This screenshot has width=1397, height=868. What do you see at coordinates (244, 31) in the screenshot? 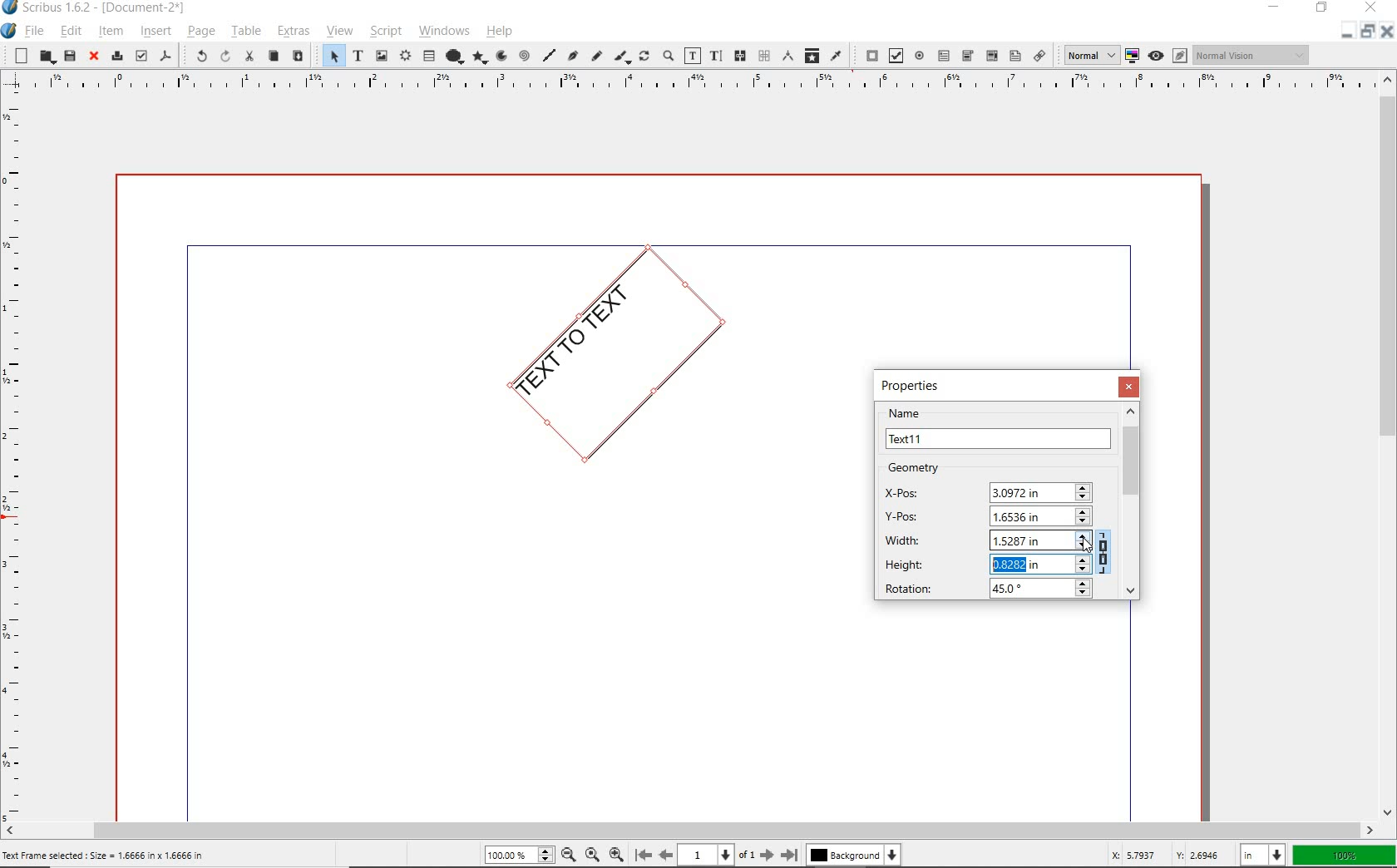
I see `table` at bounding box center [244, 31].